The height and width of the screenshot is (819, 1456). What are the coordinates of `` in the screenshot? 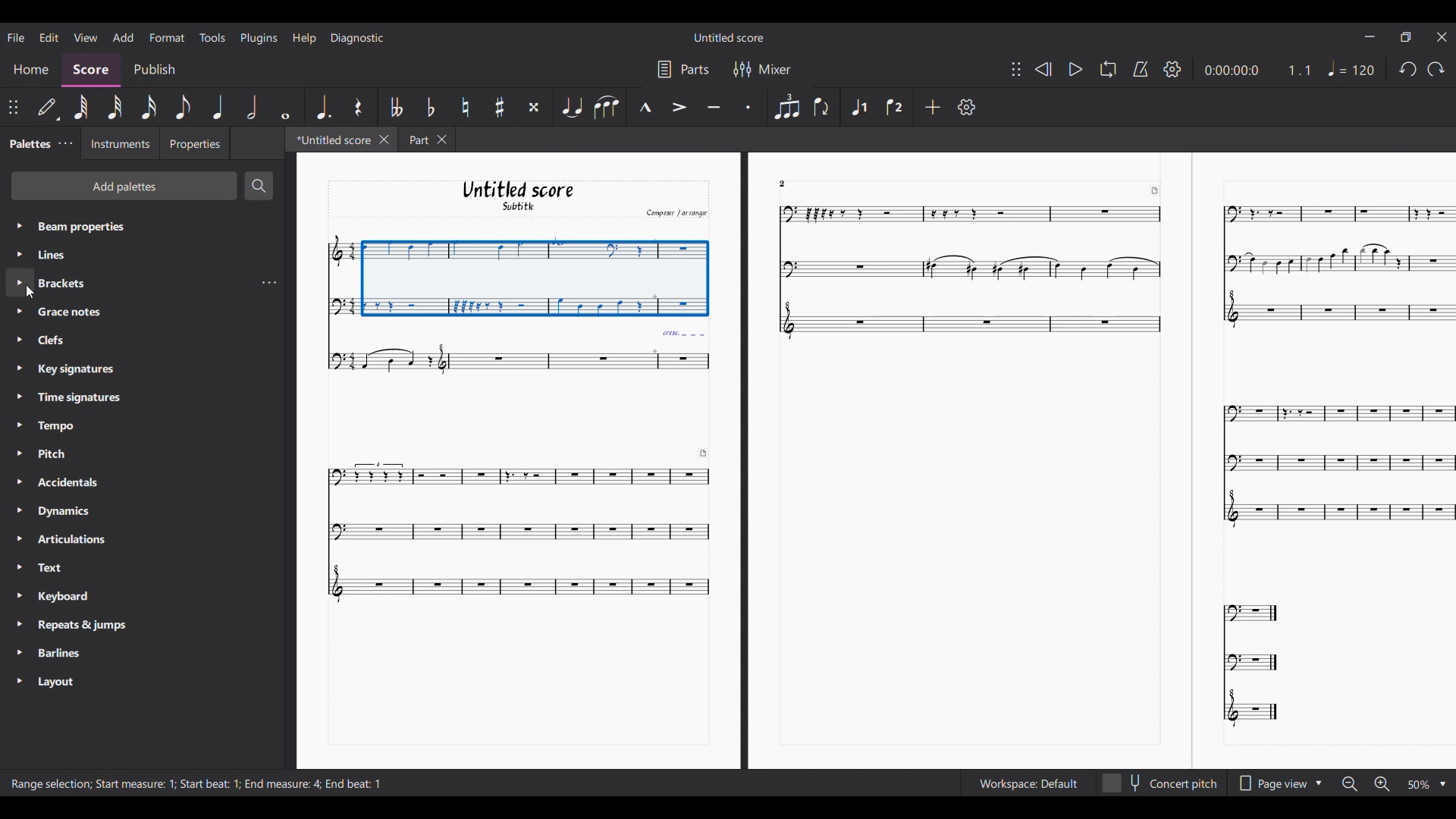 It's located at (16, 225).